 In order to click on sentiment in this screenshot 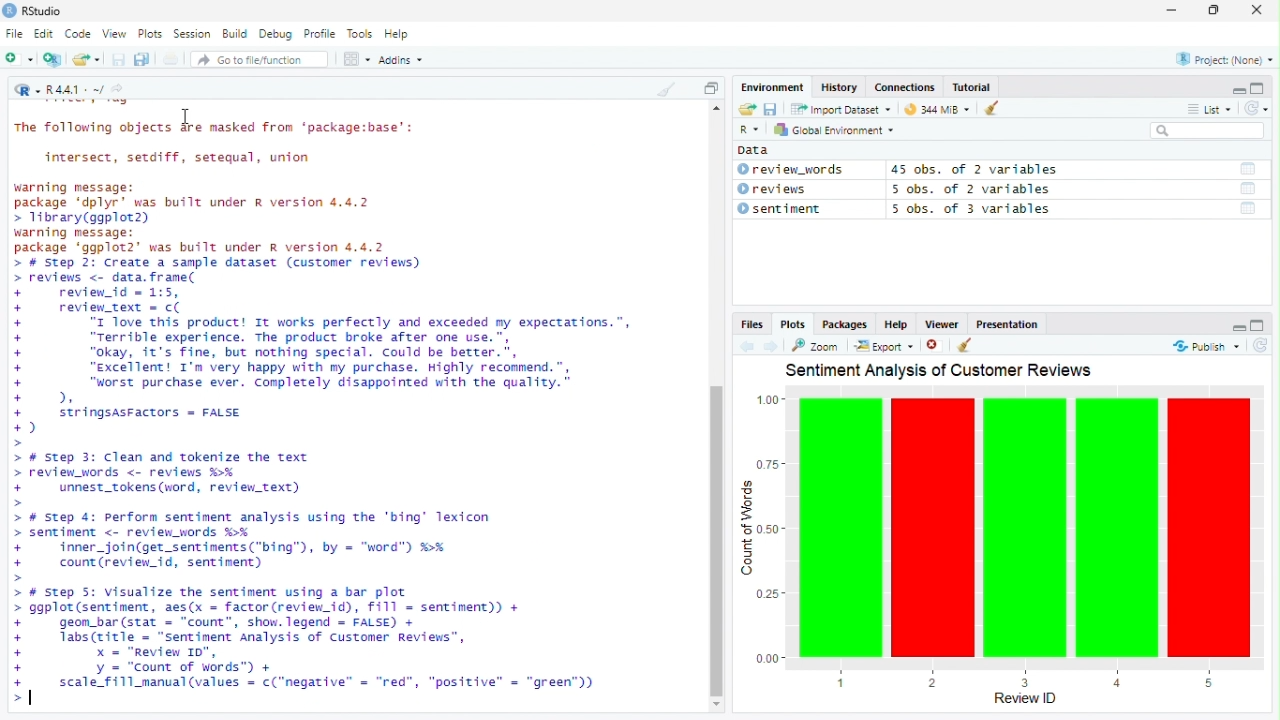, I will do `click(785, 209)`.